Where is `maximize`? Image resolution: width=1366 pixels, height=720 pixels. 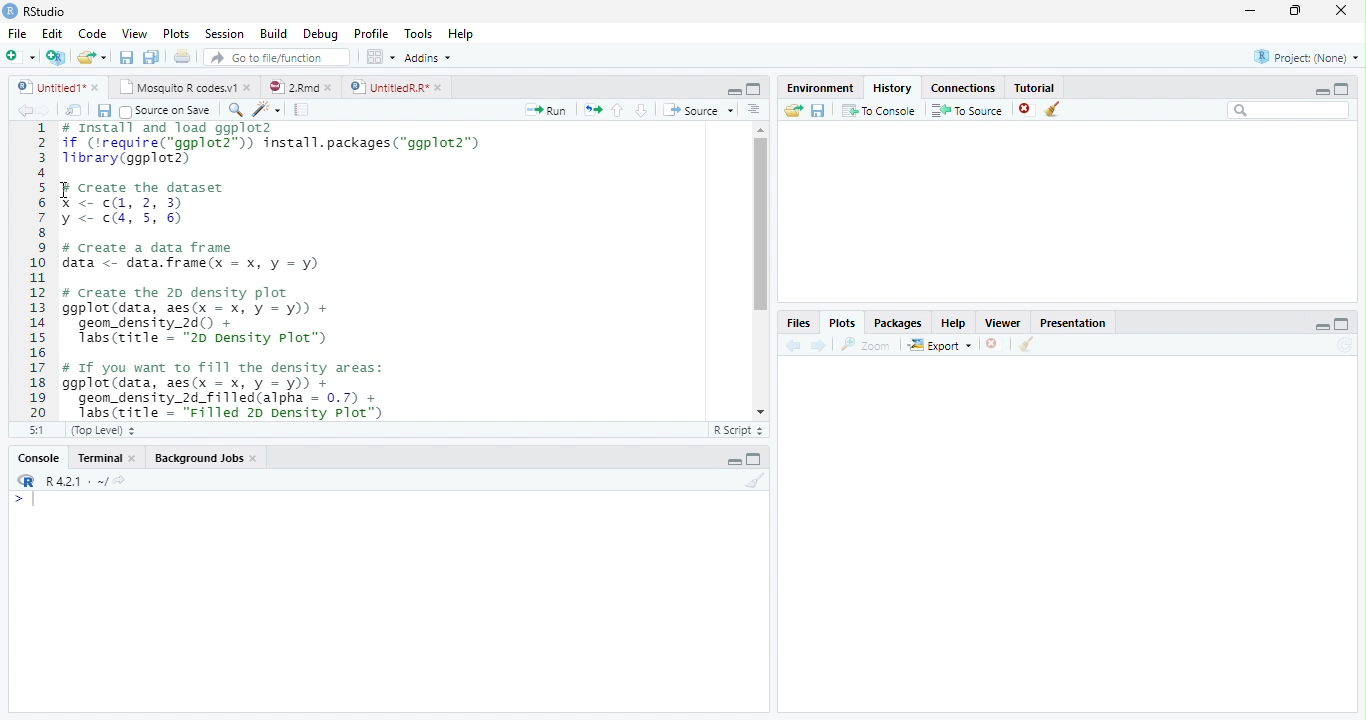
maximize is located at coordinates (754, 88).